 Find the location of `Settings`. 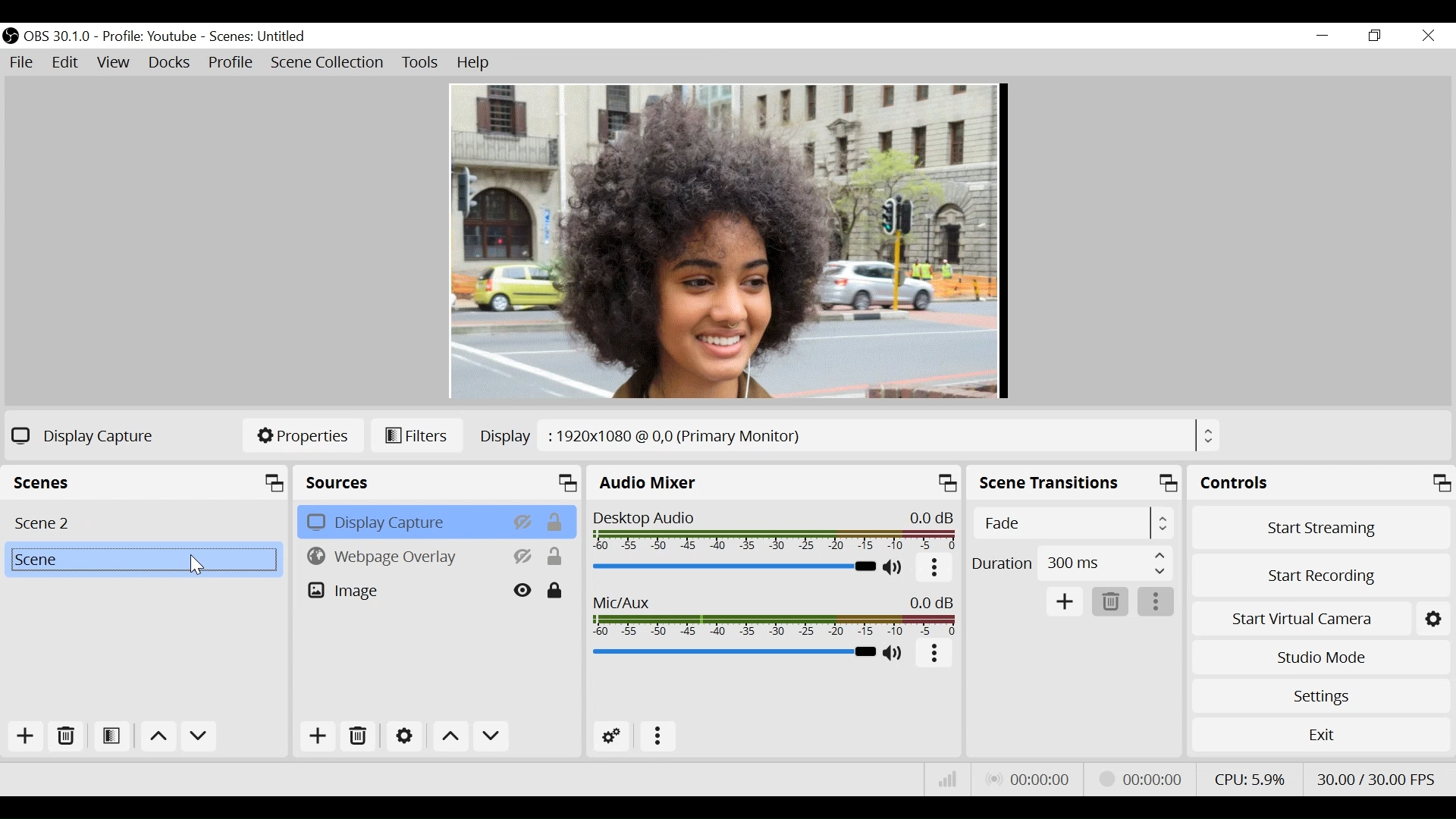

Settings is located at coordinates (1432, 619).